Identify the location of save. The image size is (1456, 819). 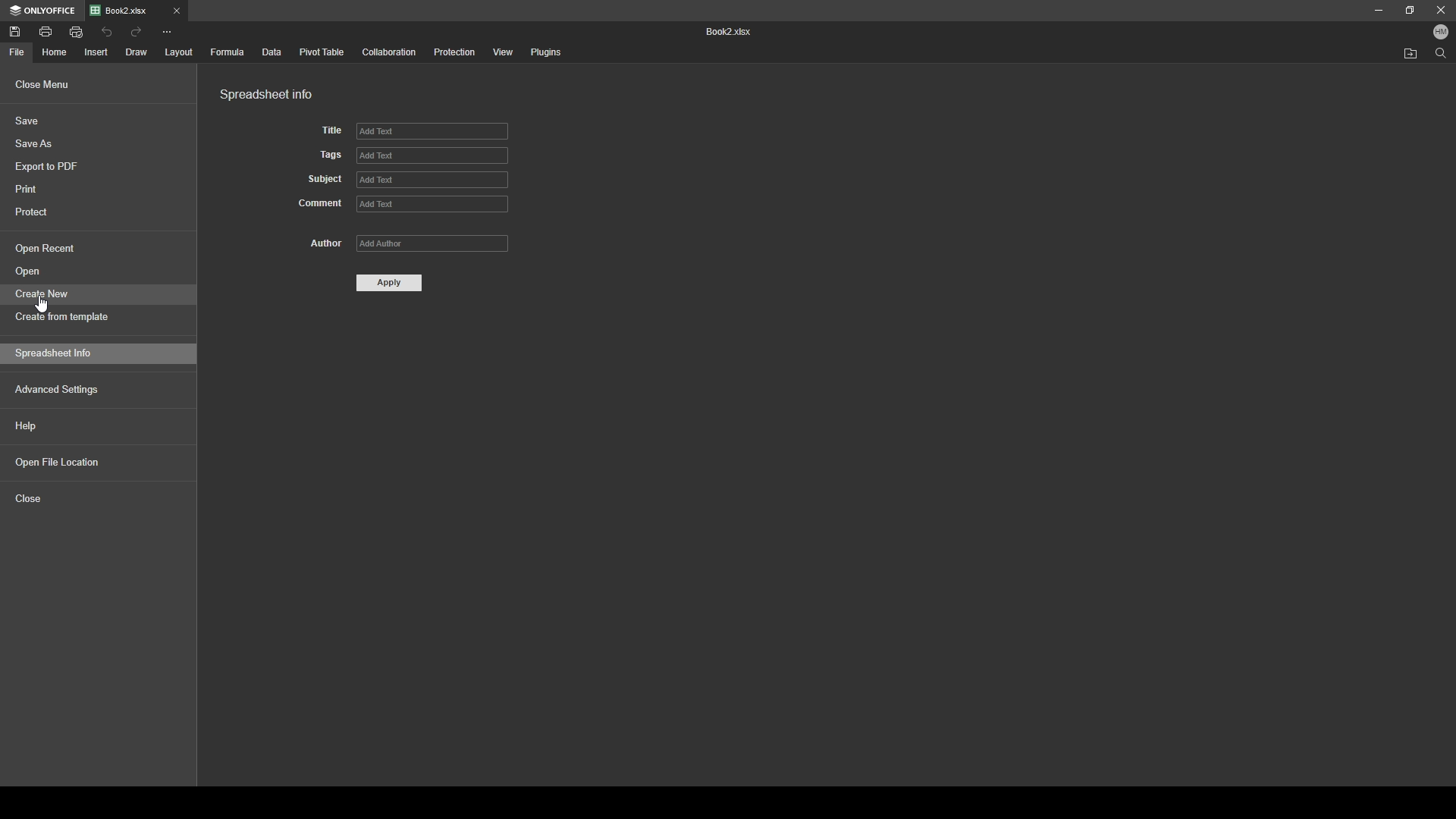
(95, 121).